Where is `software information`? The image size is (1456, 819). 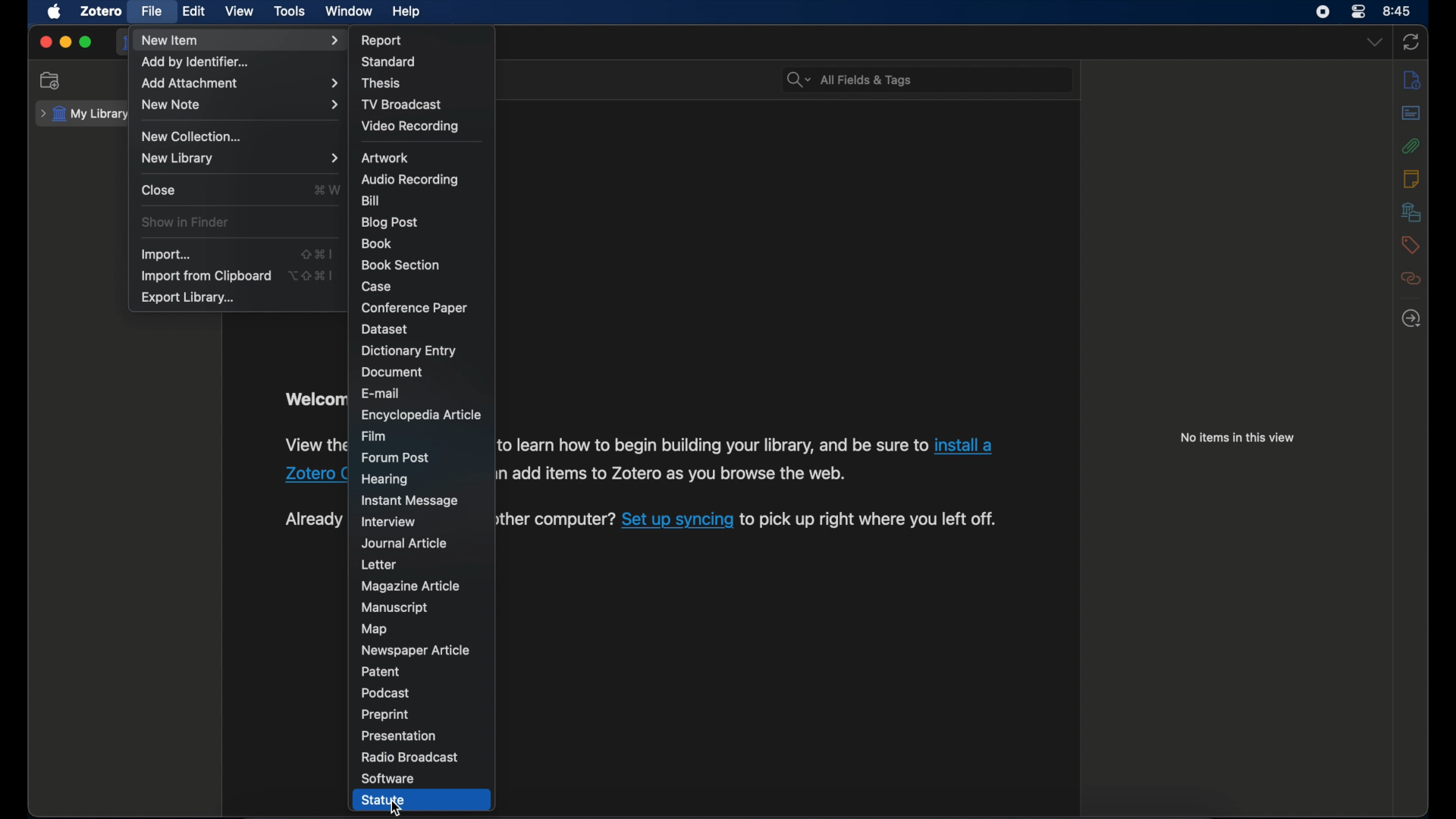
software information is located at coordinates (873, 520).